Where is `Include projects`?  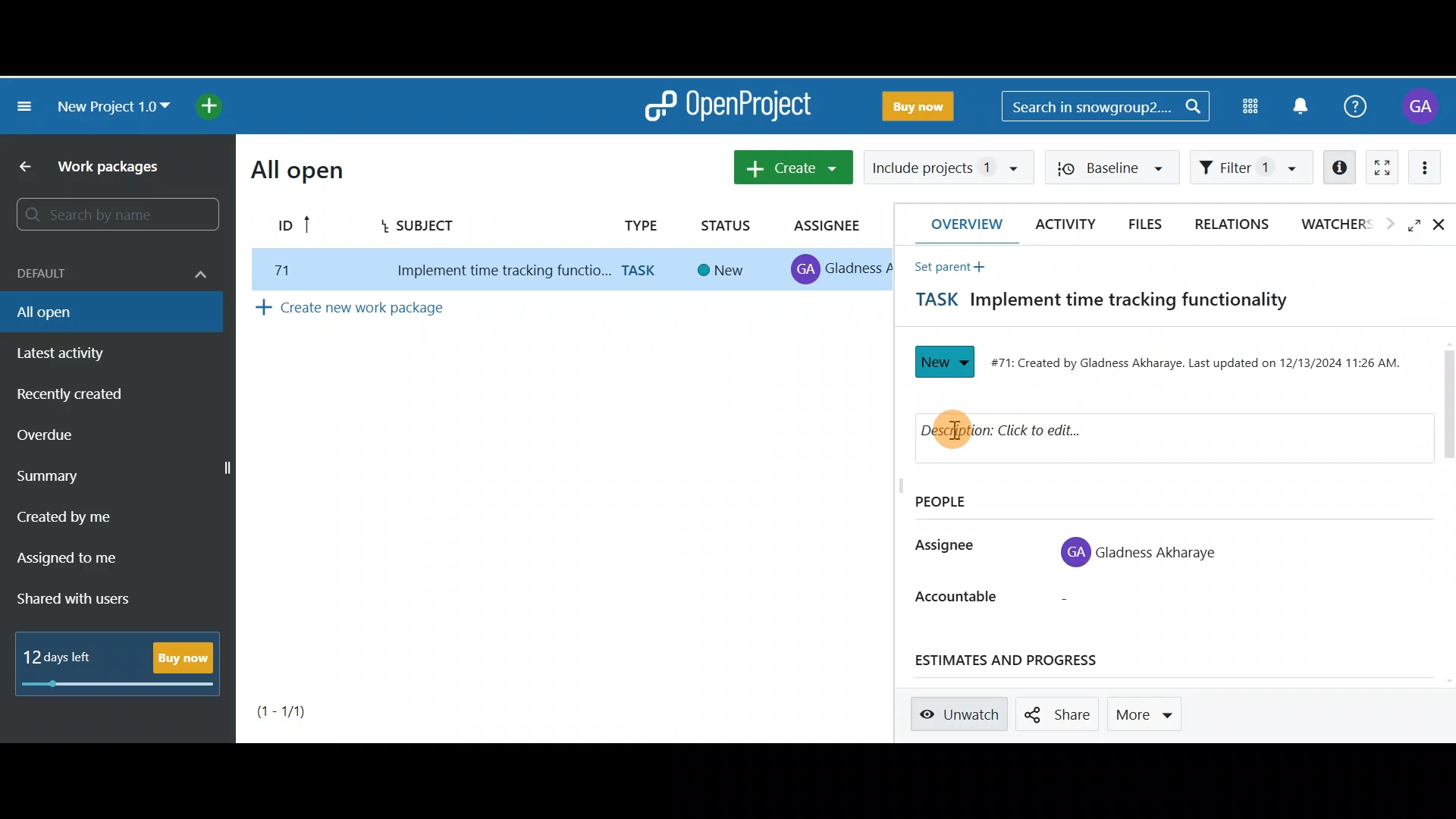
Include projects is located at coordinates (946, 166).